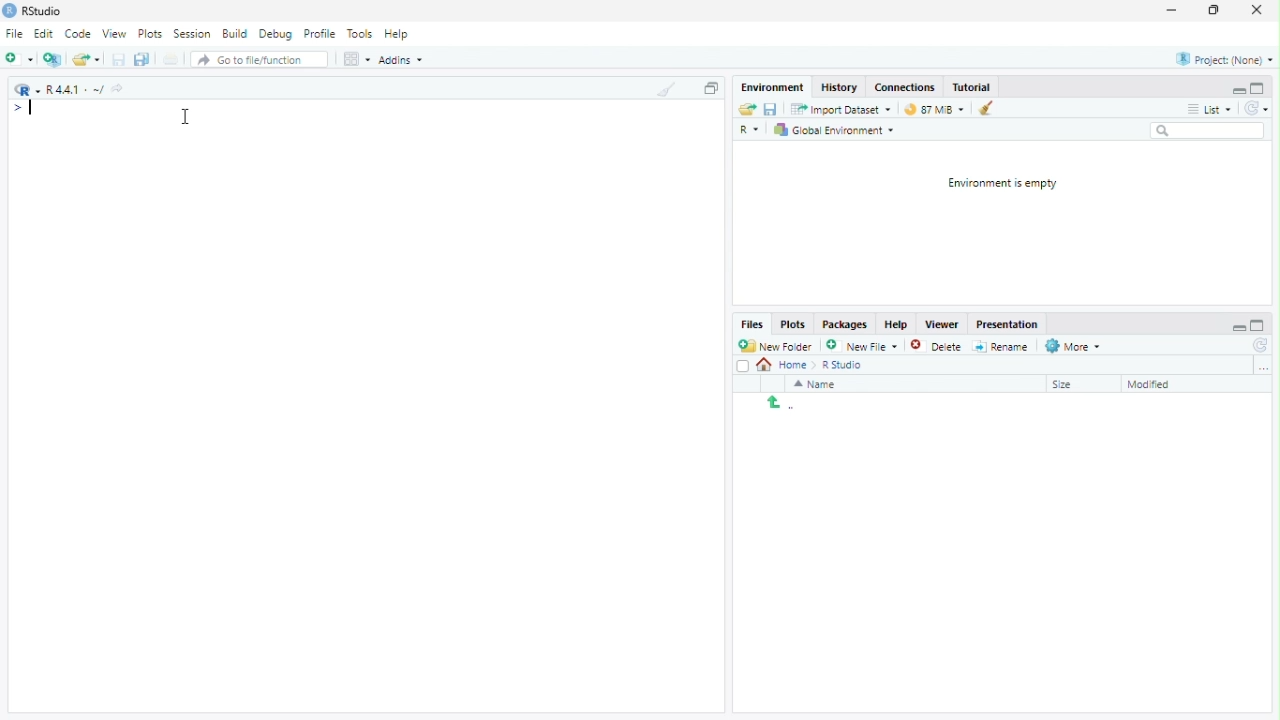 The height and width of the screenshot is (720, 1280). I want to click on Clean, so click(987, 108).